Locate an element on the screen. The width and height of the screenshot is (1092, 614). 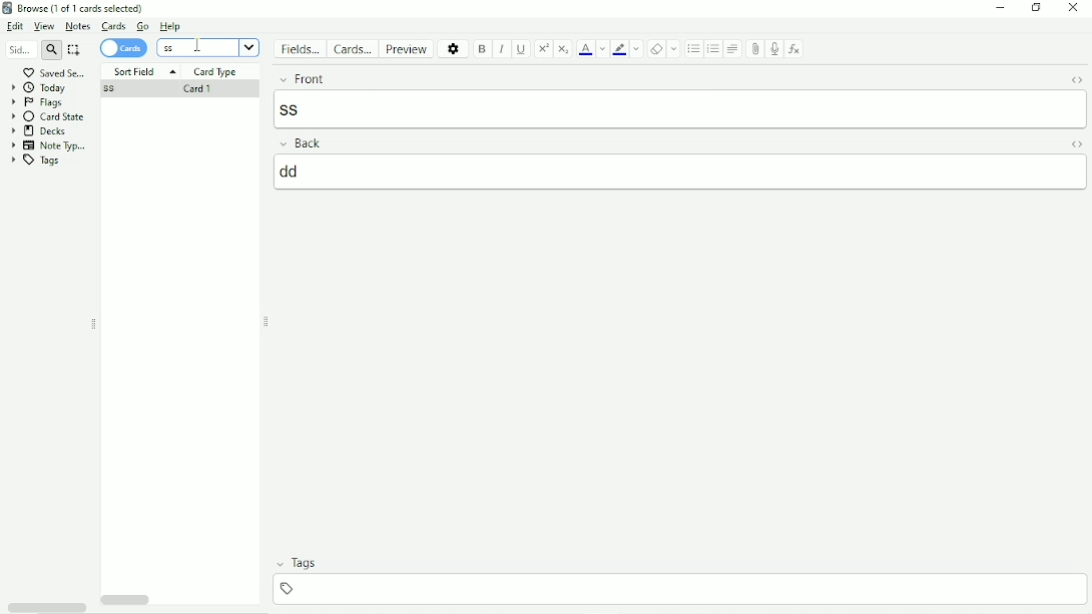
Superscript is located at coordinates (544, 48).